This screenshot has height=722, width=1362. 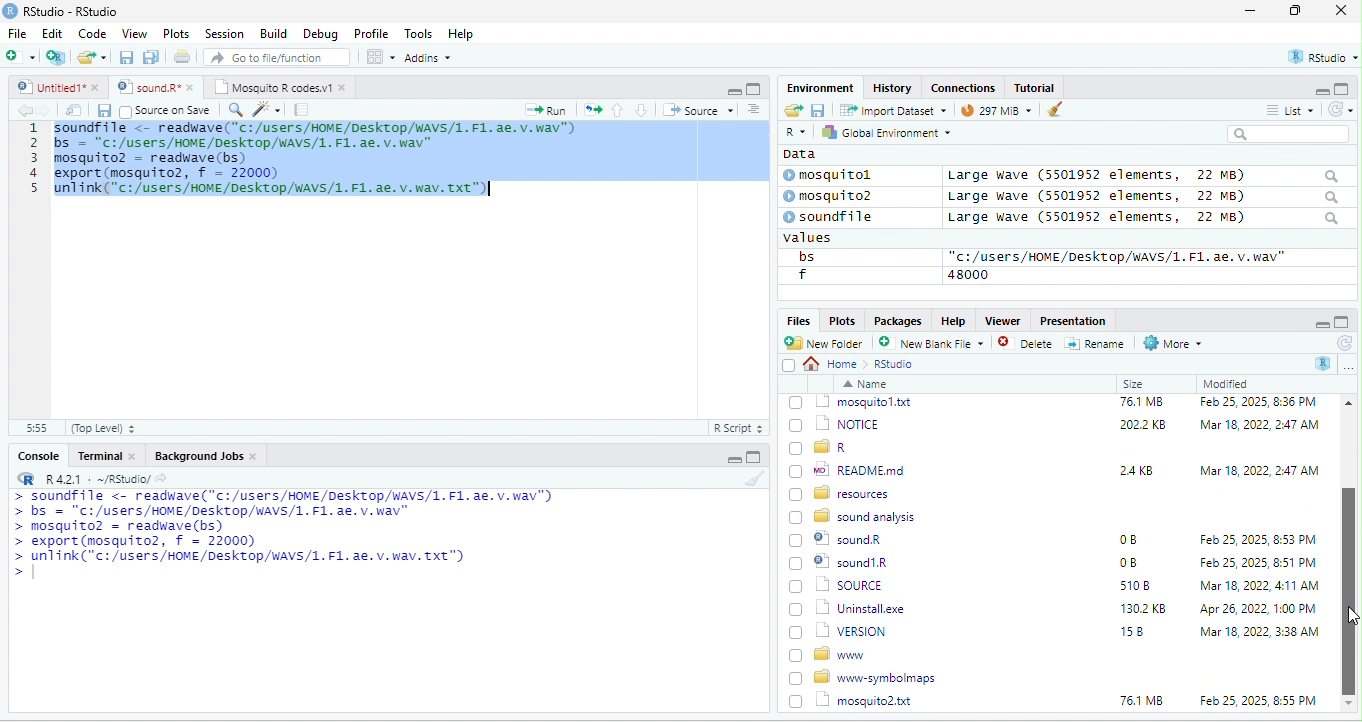 I want to click on ’ New blank File, so click(x=937, y=346).